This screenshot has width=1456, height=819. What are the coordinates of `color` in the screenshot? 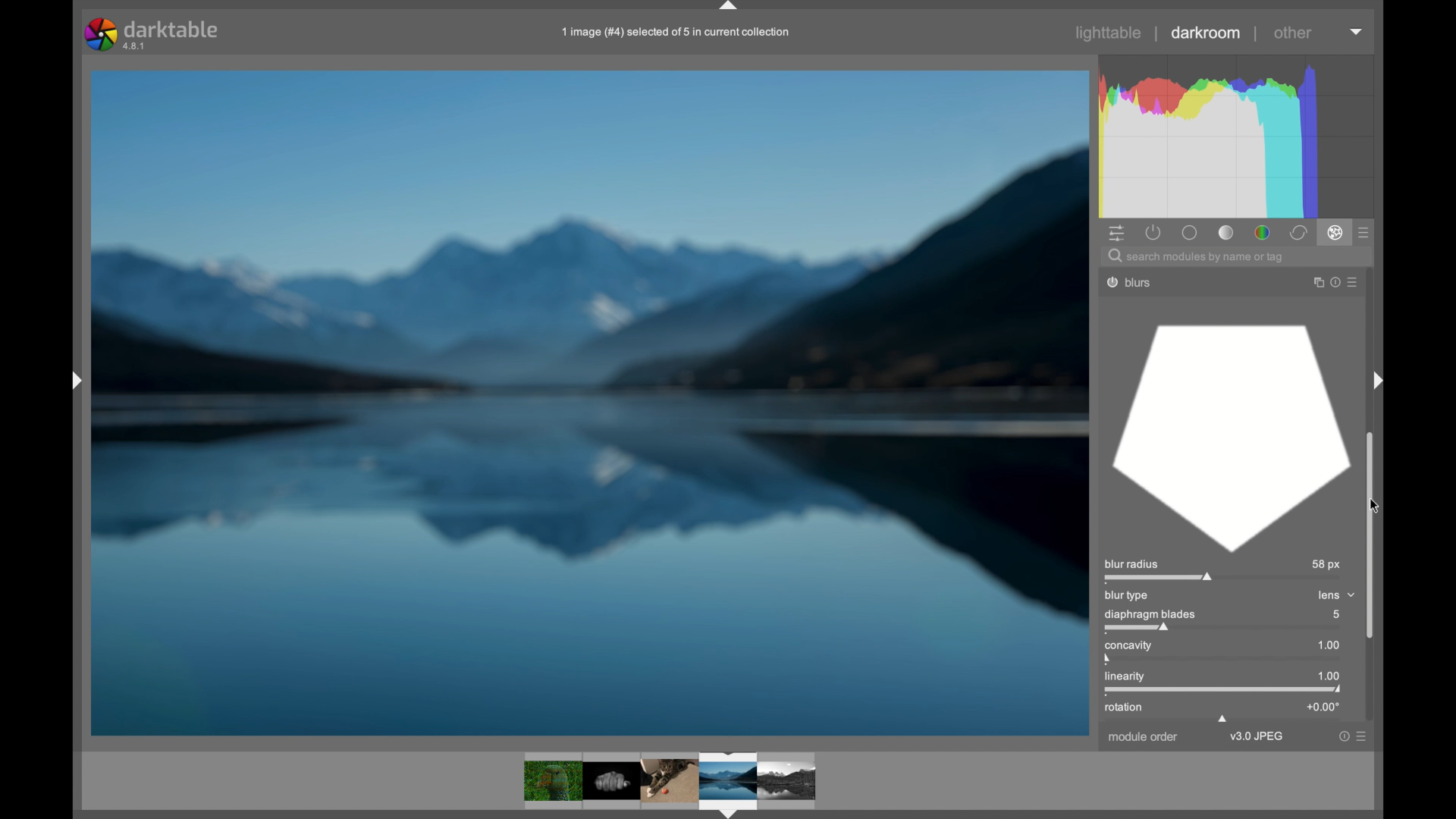 It's located at (1261, 232).